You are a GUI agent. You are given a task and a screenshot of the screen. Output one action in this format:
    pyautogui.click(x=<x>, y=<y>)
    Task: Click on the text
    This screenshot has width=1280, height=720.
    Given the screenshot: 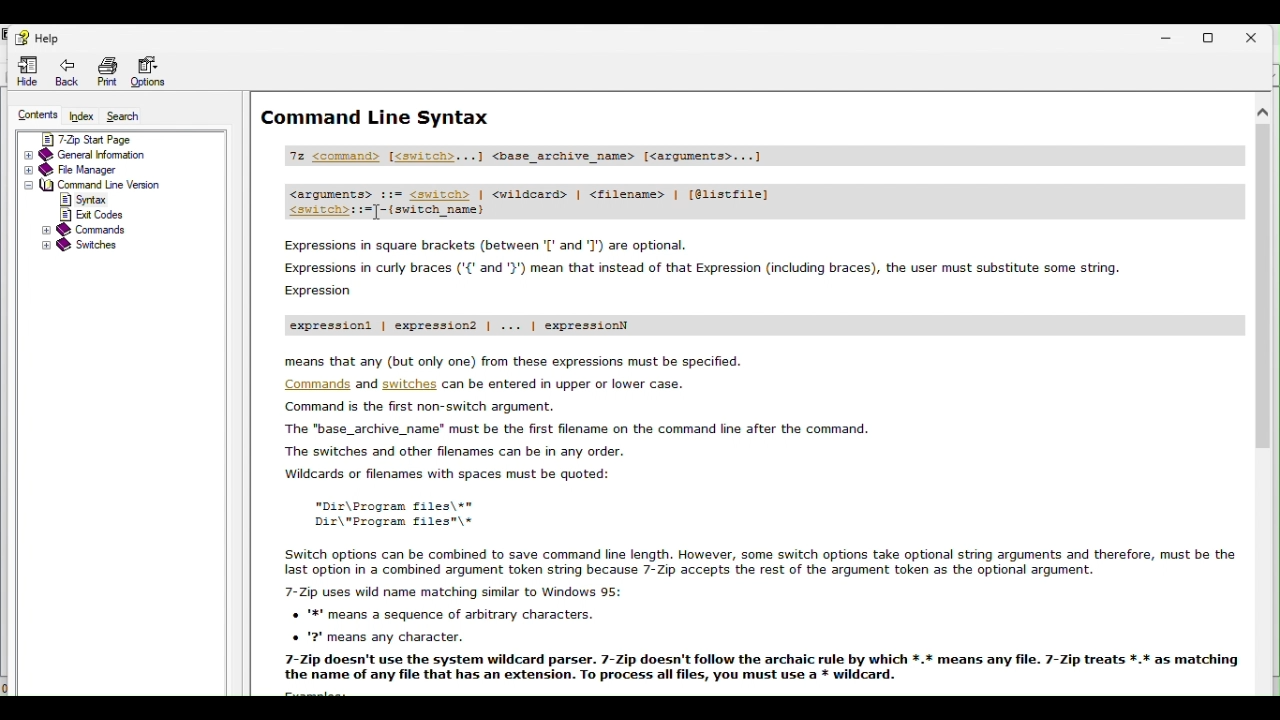 What is the action you would take?
    pyautogui.click(x=566, y=385)
    